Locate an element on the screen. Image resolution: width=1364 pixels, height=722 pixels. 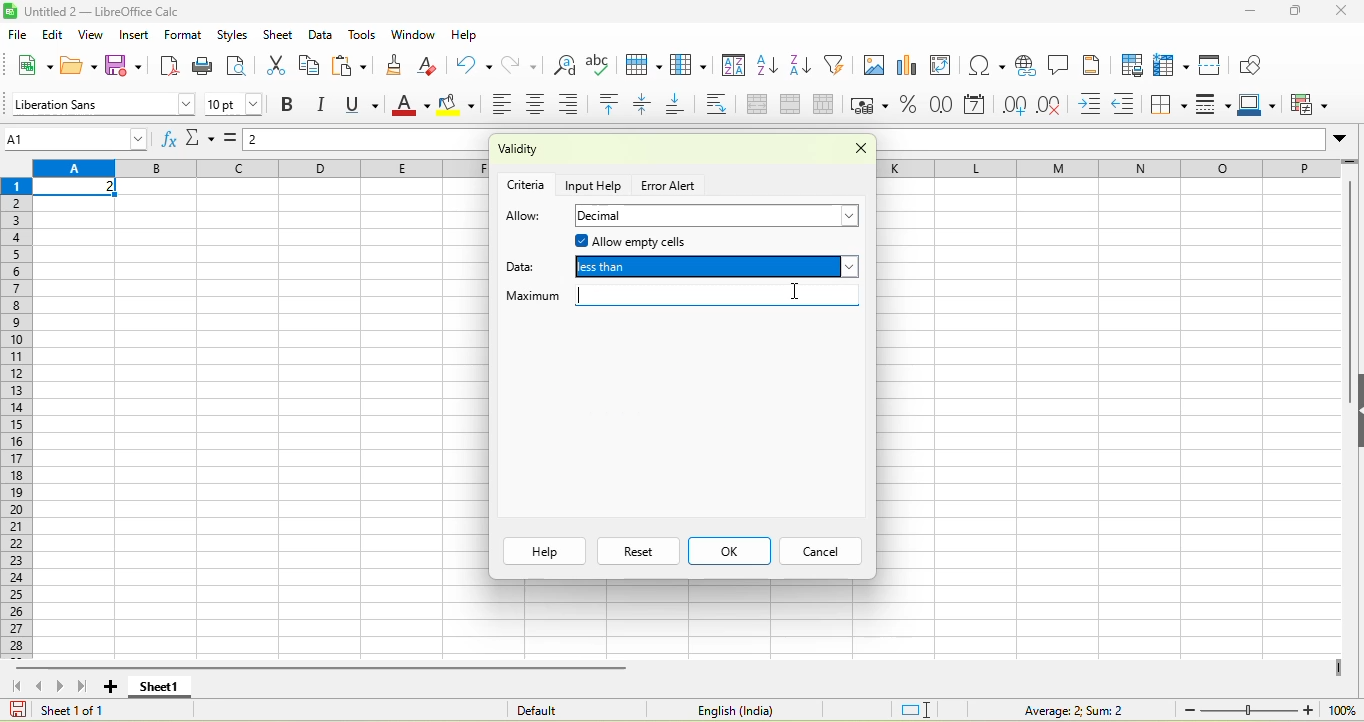
help is located at coordinates (544, 551).